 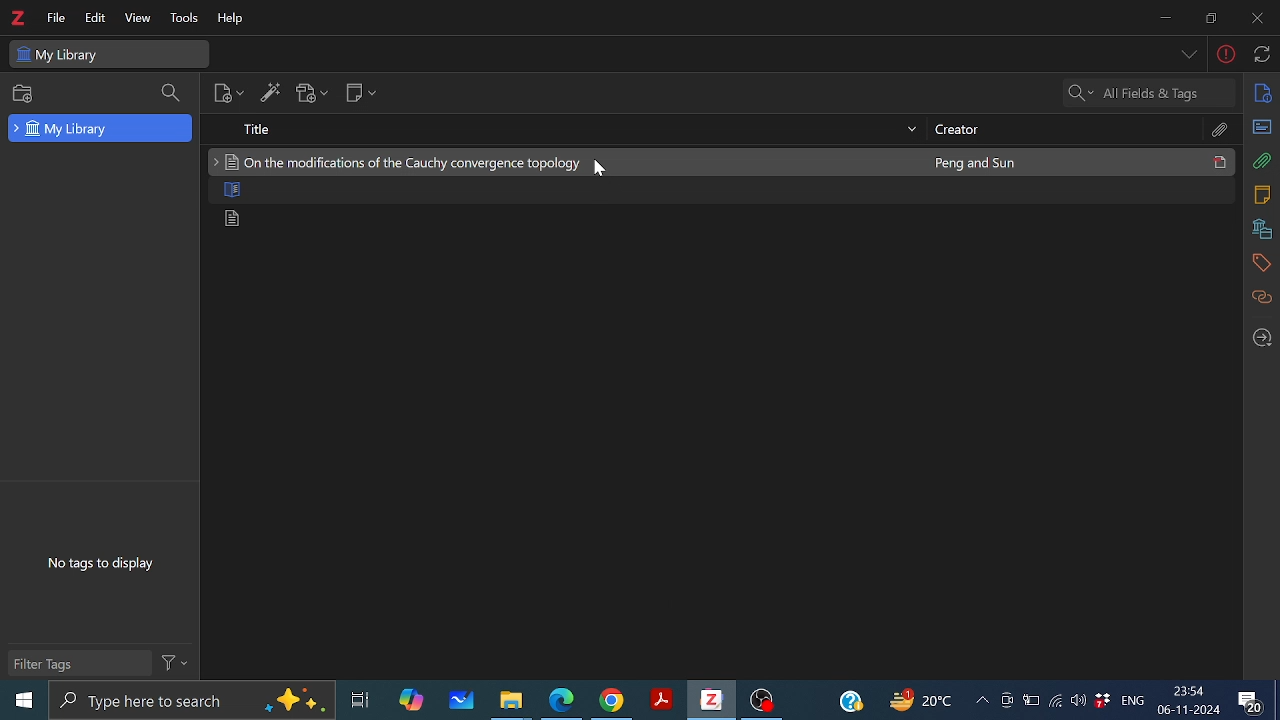 What do you see at coordinates (512, 700) in the screenshot?
I see `Files` at bounding box center [512, 700].